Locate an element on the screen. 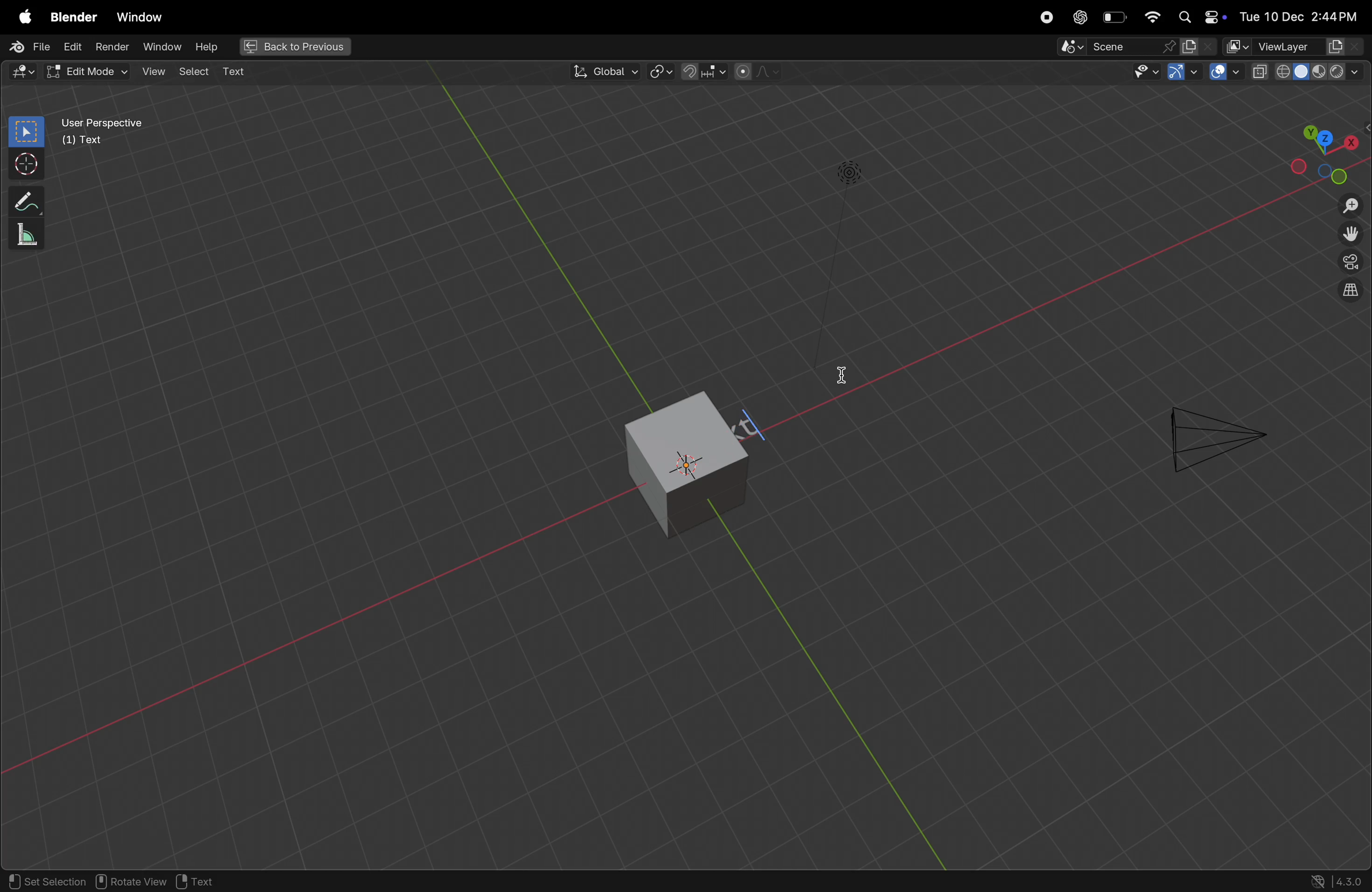 Image resolution: width=1372 pixels, height=892 pixels. options is located at coordinates (1335, 99).